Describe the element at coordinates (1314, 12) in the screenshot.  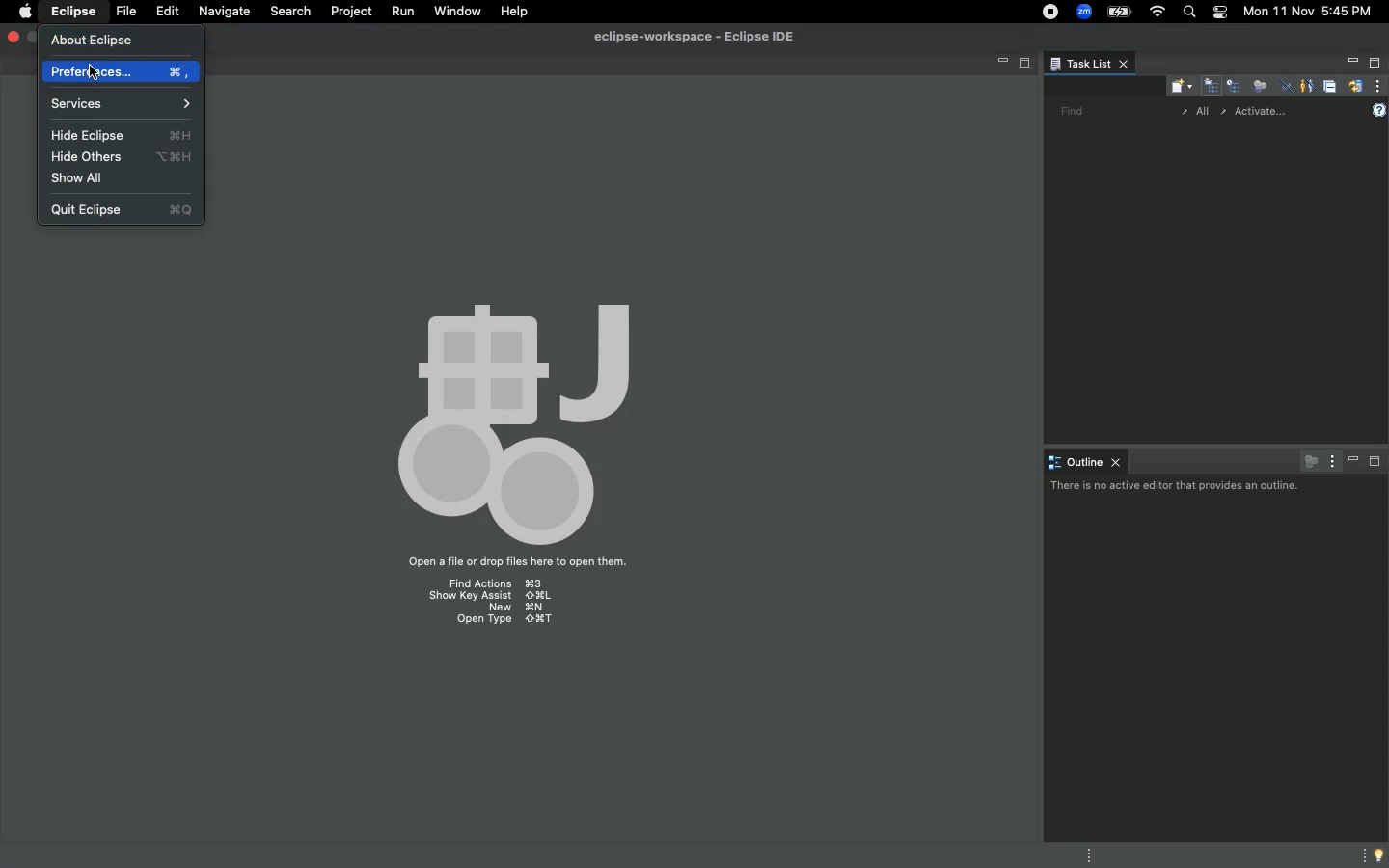
I see `Date/time` at that location.